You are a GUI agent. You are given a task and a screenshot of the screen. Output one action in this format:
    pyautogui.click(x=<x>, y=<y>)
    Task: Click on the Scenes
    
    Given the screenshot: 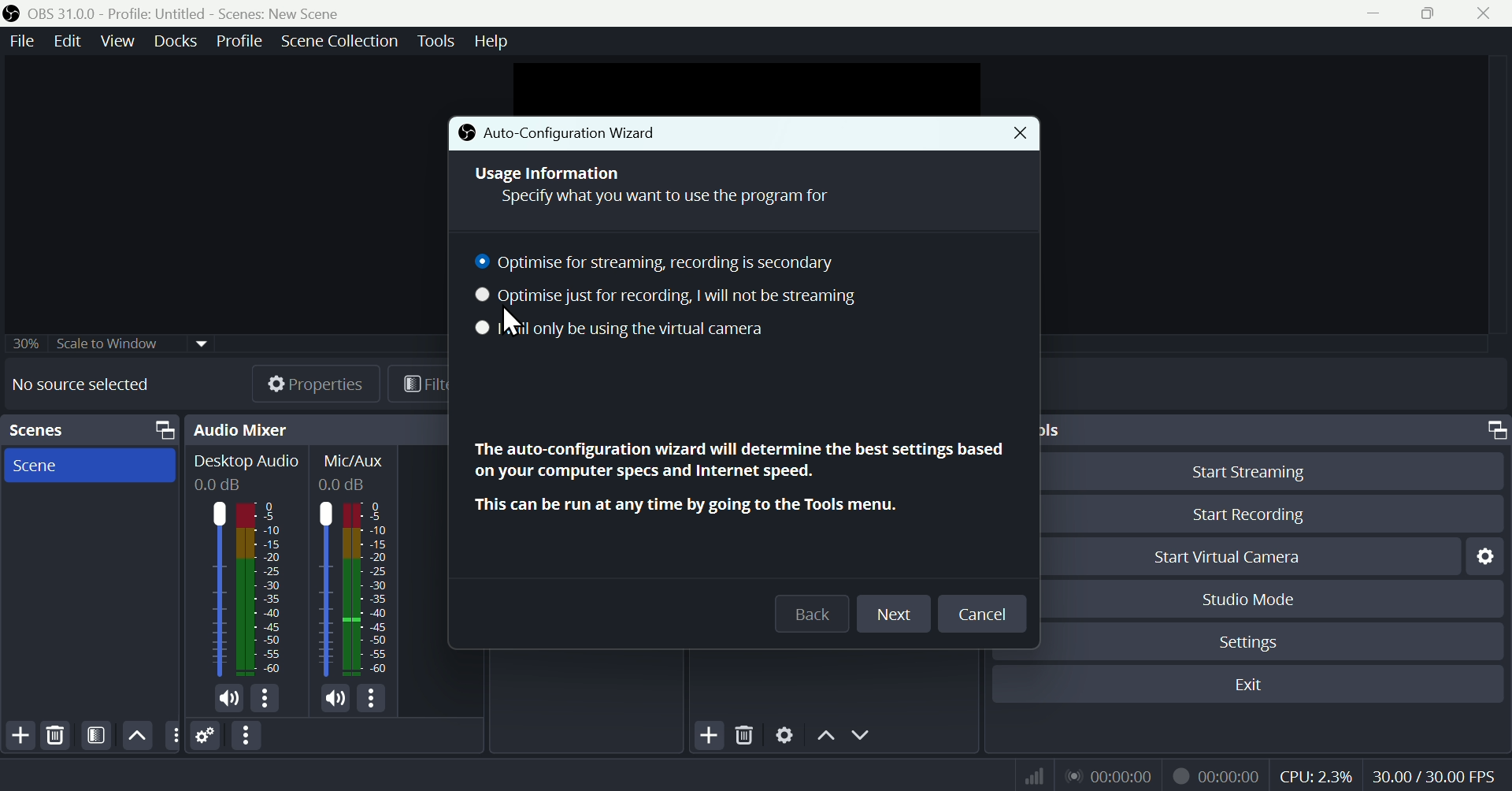 What is the action you would take?
    pyautogui.click(x=36, y=429)
    